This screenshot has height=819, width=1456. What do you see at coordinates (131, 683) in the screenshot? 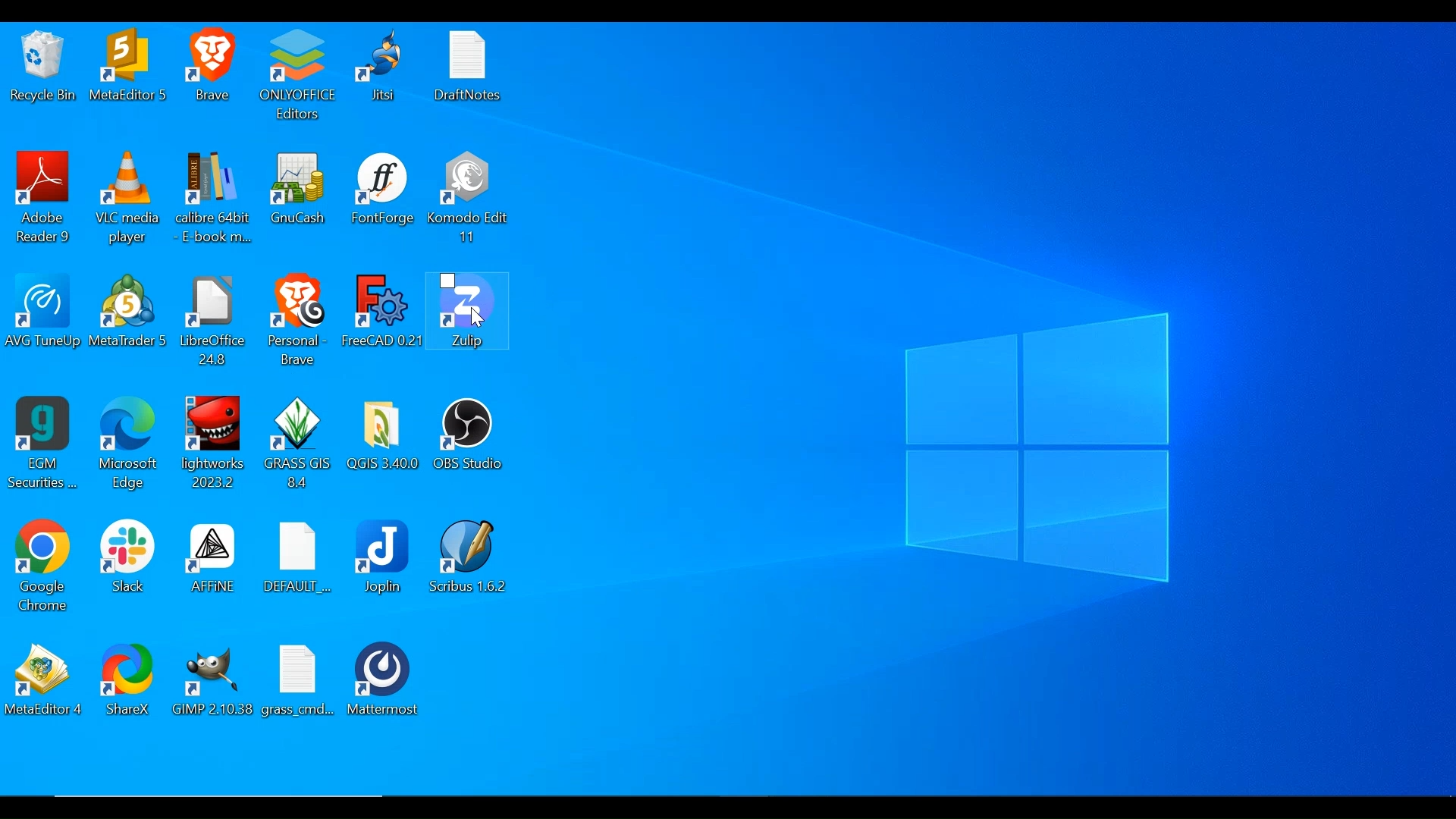
I see `ShareX Desktop icon` at bounding box center [131, 683].